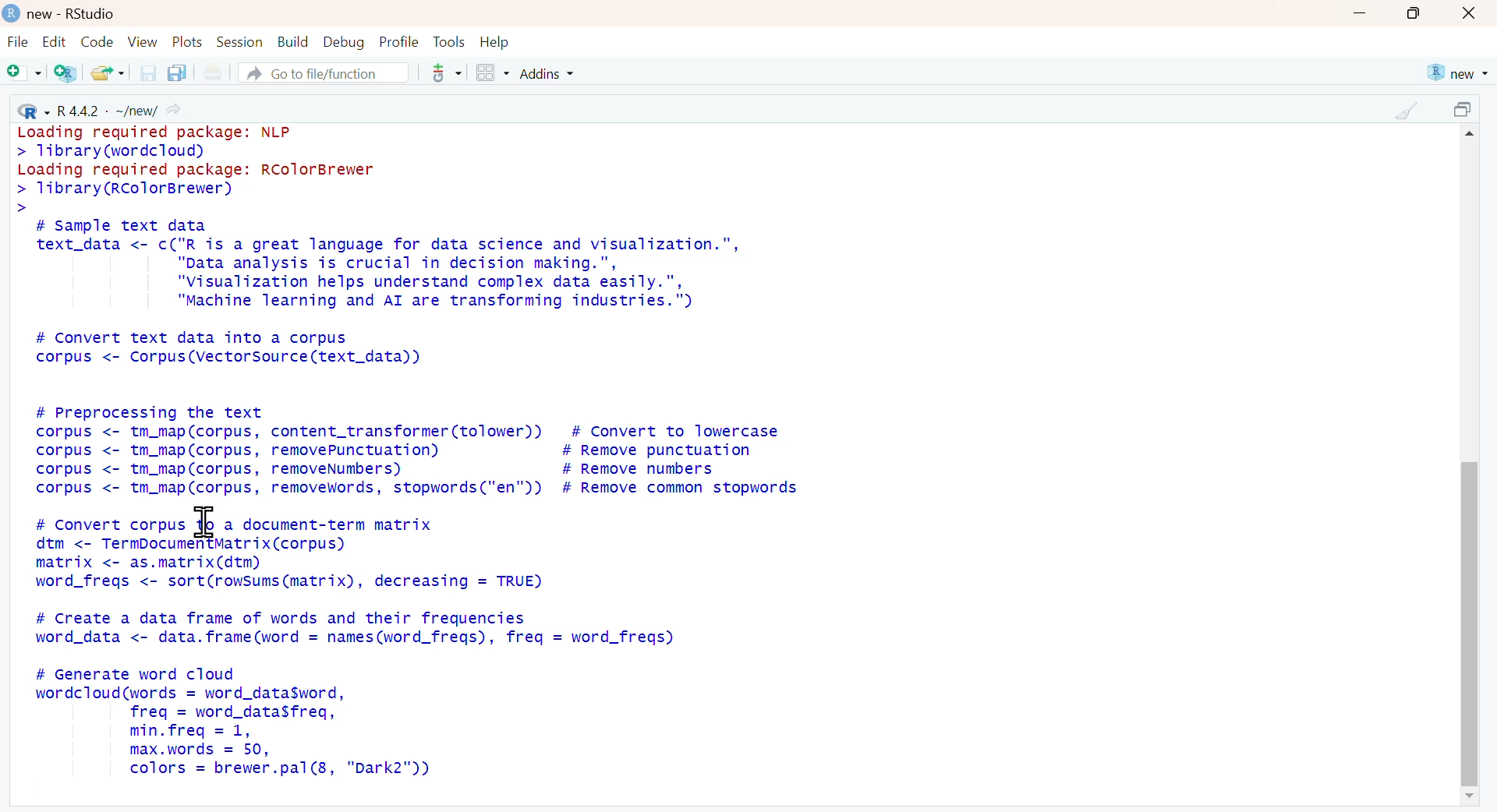 The width and height of the screenshot is (1497, 812). What do you see at coordinates (294, 42) in the screenshot?
I see `Build` at bounding box center [294, 42].